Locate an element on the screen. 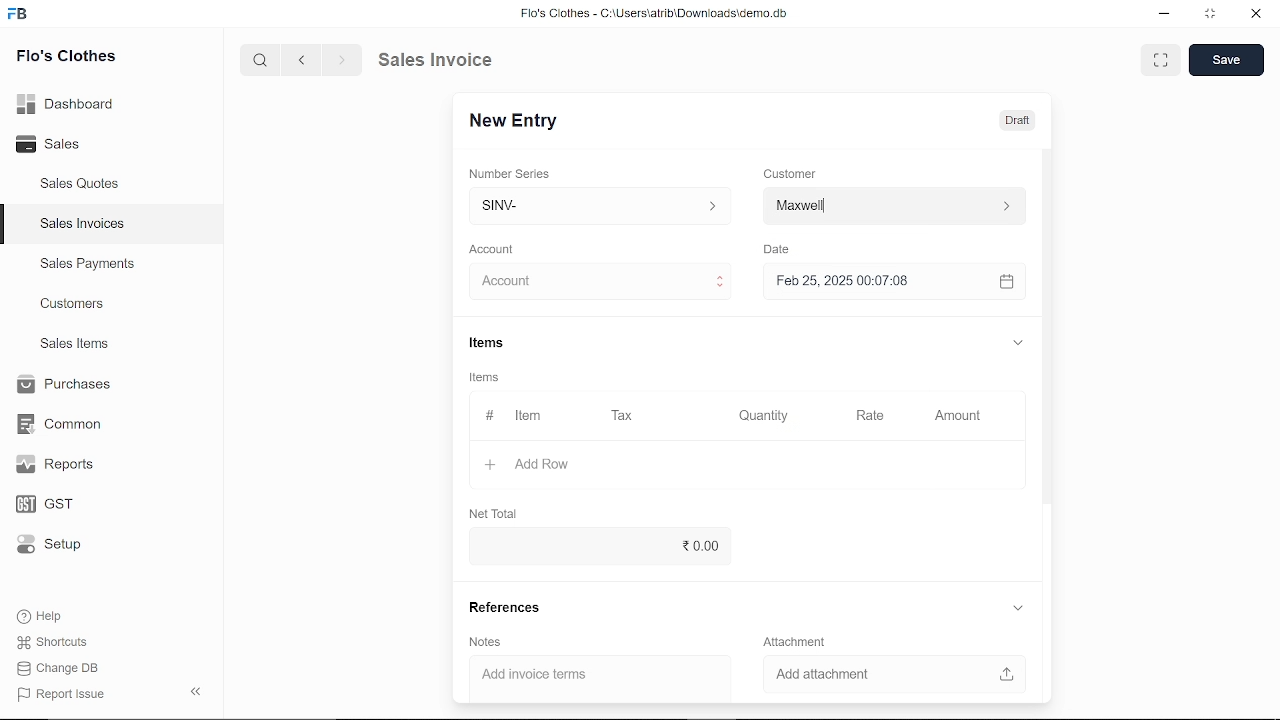 Image resolution: width=1280 pixels, height=720 pixels. vertical scrollbar is located at coordinates (1050, 325).